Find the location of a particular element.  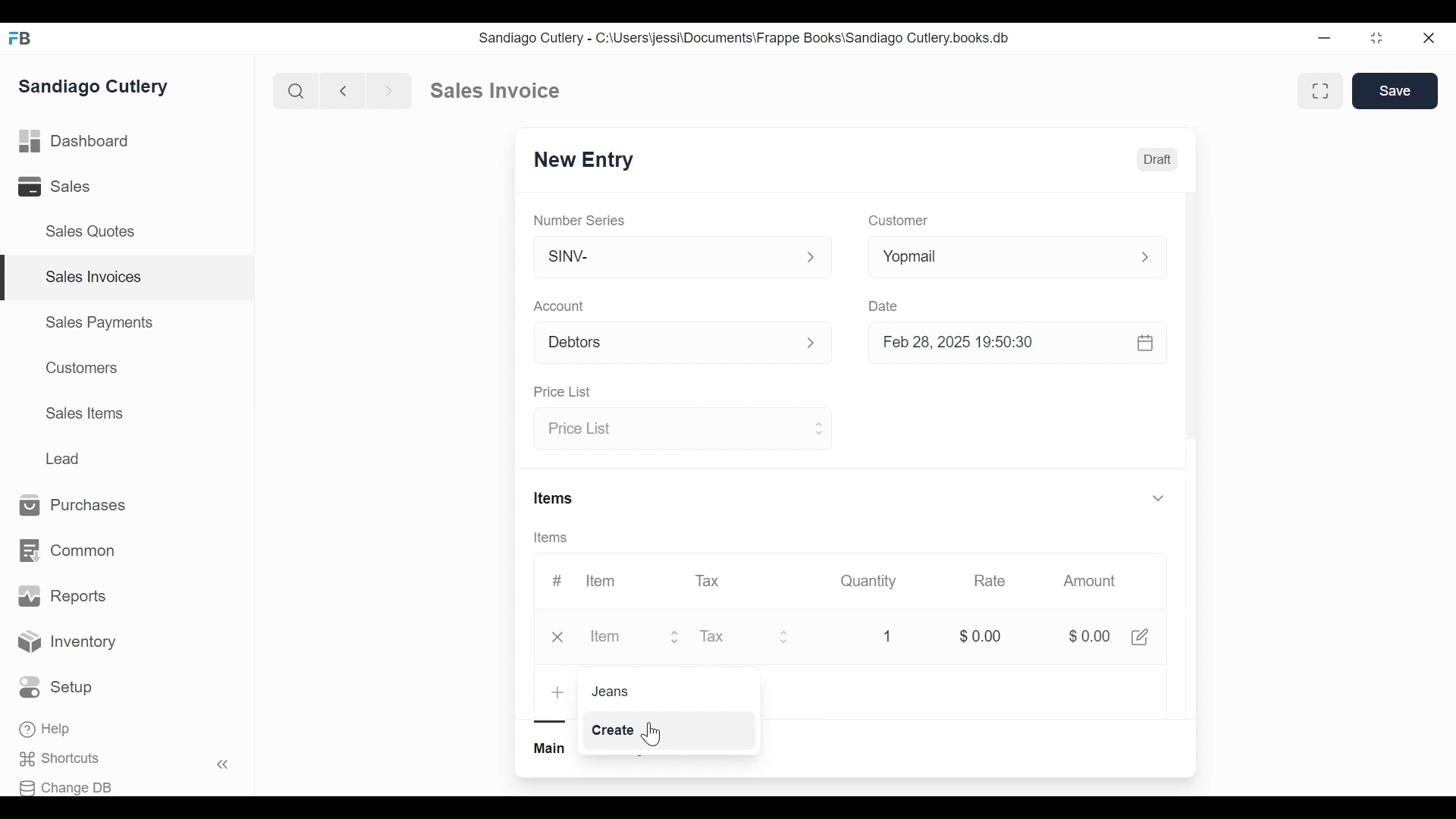

Price List is located at coordinates (566, 392).